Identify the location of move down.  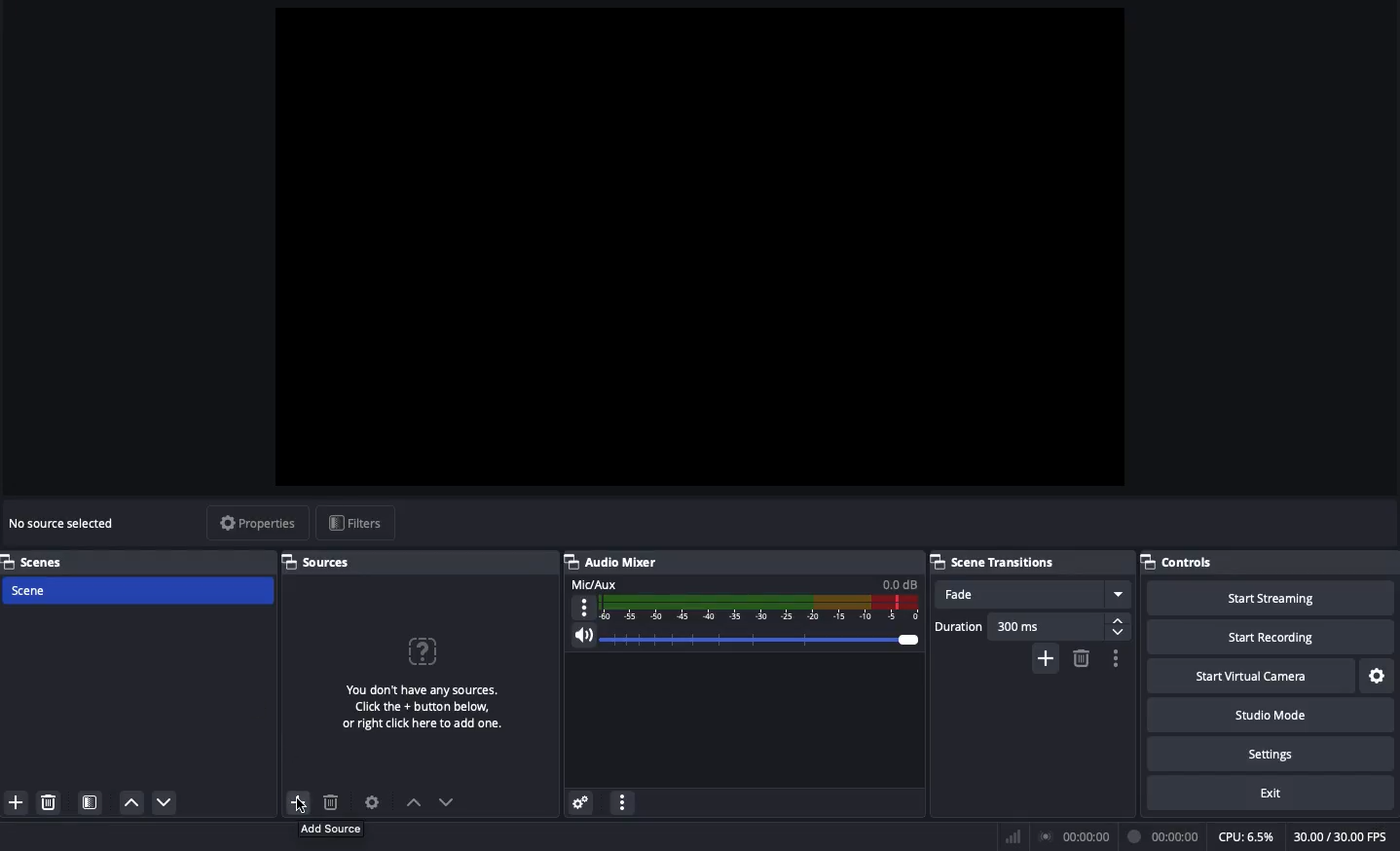
(170, 799).